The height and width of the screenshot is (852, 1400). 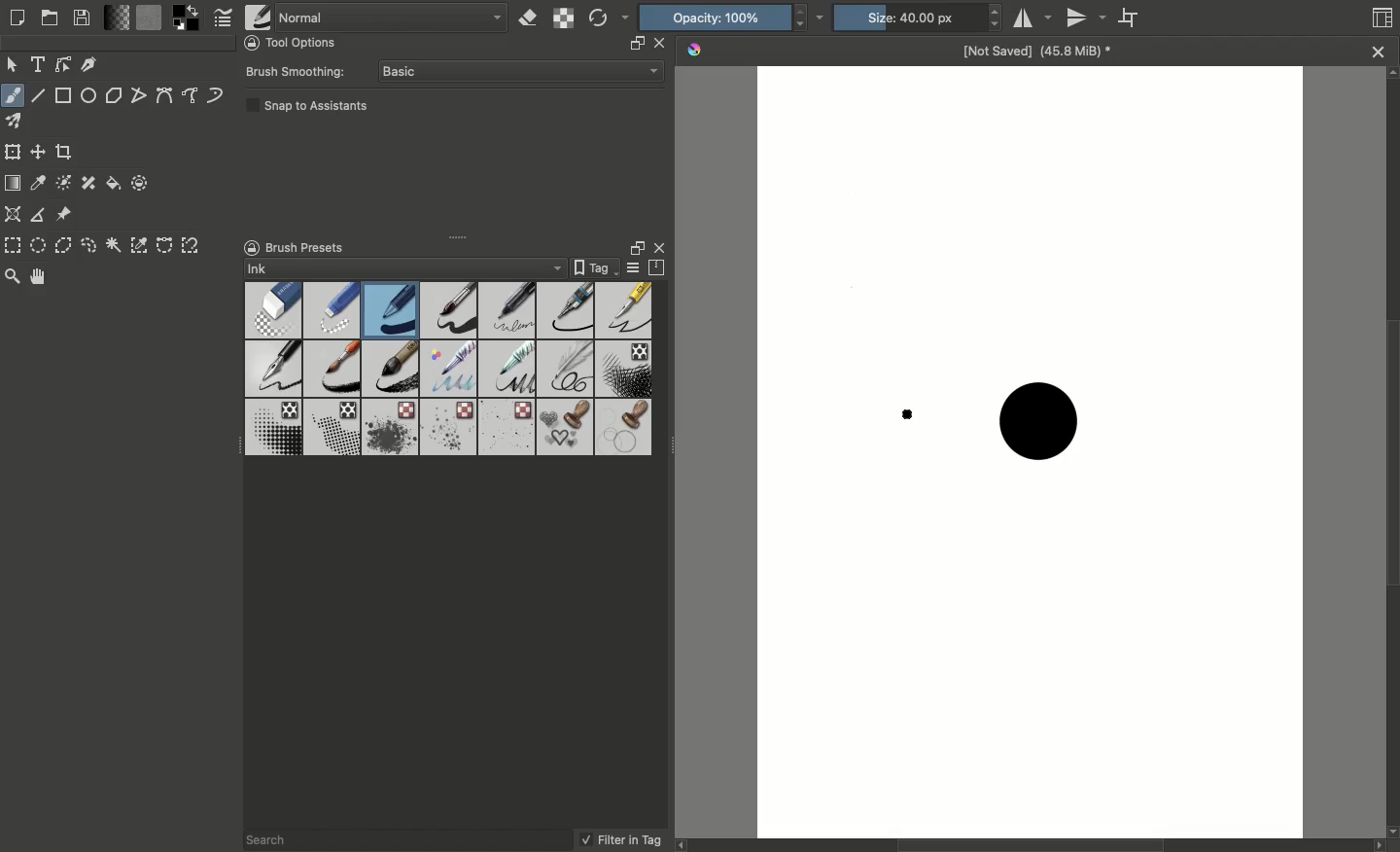 I want to click on Storage resources, so click(x=660, y=268).